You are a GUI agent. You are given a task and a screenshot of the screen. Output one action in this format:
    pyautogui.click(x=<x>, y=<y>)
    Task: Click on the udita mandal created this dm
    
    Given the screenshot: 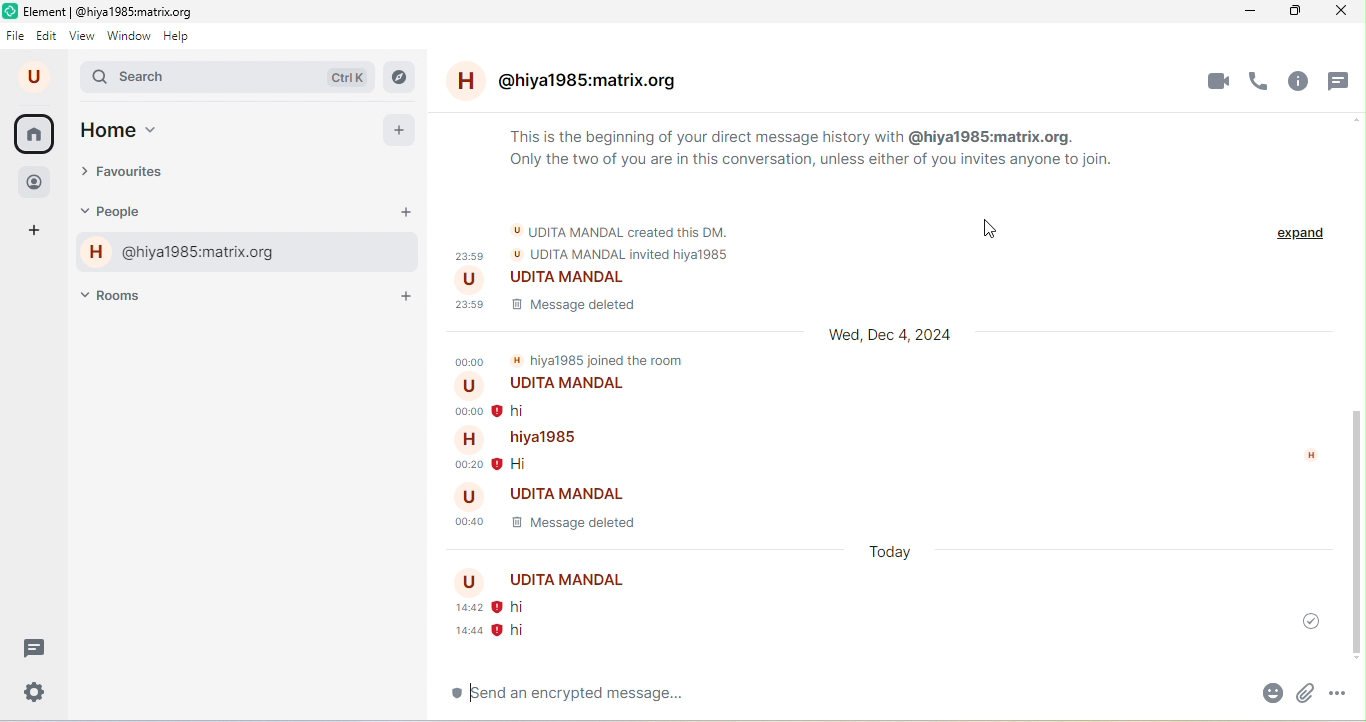 What is the action you would take?
    pyautogui.click(x=623, y=229)
    